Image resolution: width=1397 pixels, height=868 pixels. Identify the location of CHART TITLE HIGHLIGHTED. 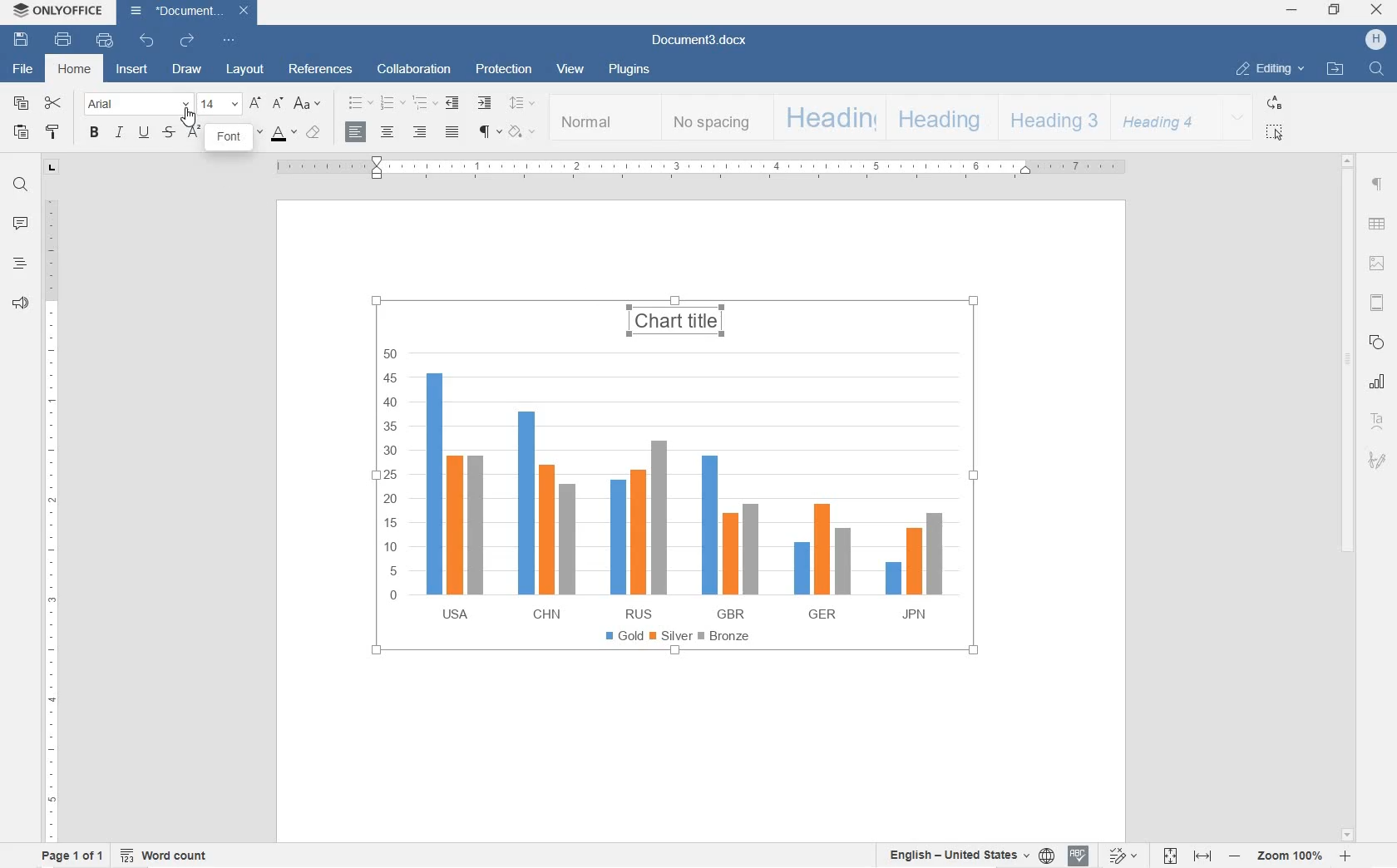
(674, 313).